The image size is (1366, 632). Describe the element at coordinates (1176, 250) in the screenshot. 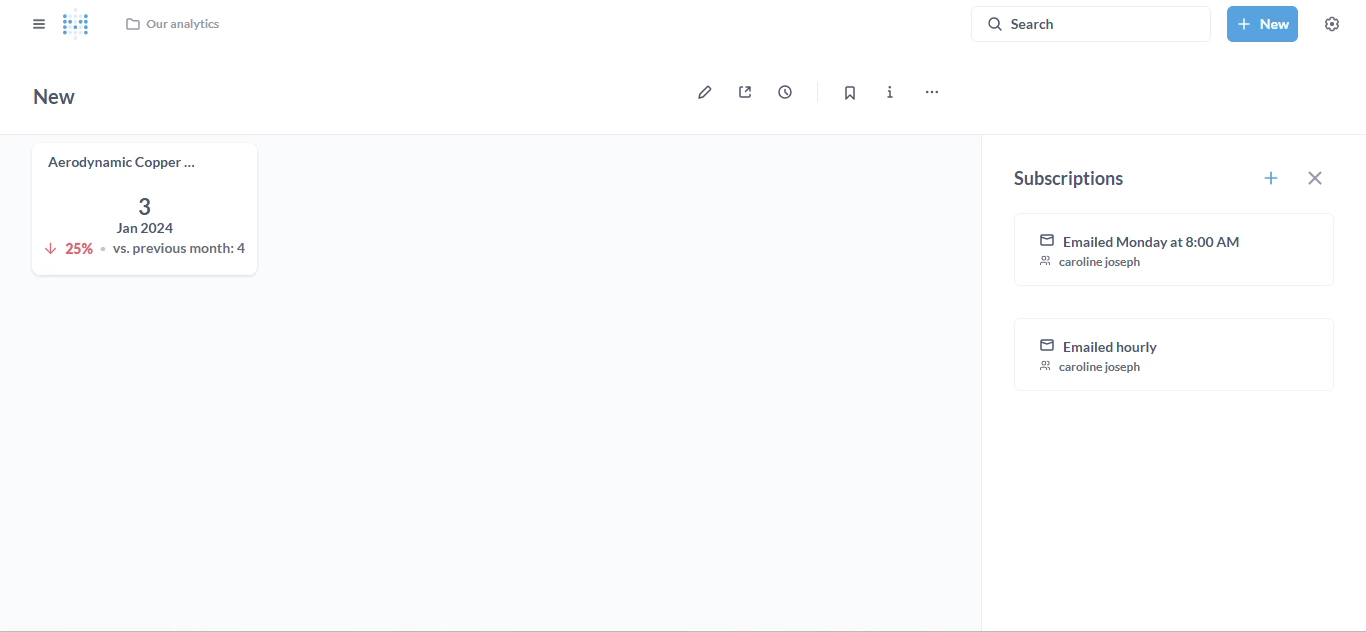

I see `emailed monday at 8:00 AM` at that location.